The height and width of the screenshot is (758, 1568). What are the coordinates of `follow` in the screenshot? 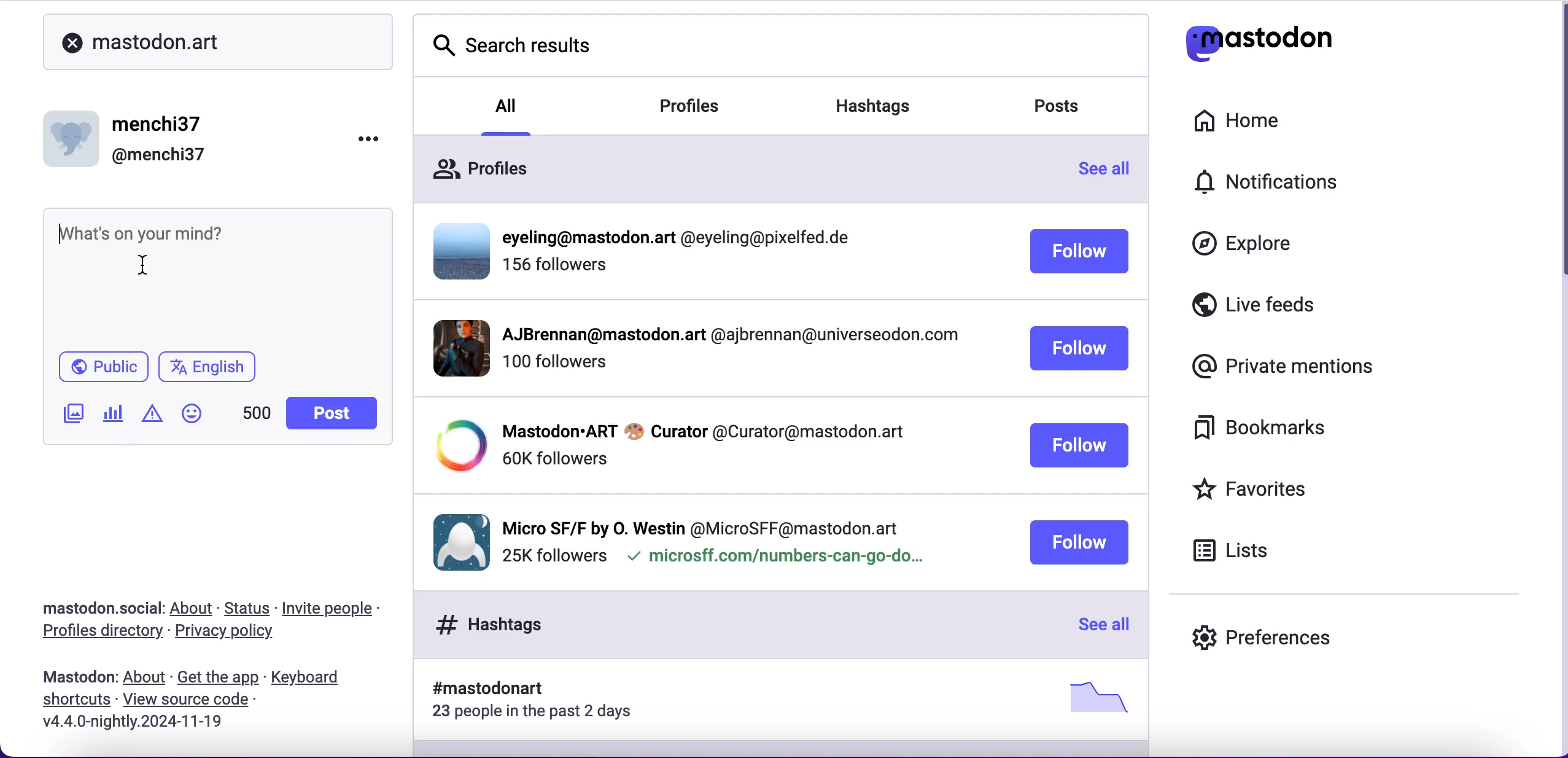 It's located at (1078, 542).